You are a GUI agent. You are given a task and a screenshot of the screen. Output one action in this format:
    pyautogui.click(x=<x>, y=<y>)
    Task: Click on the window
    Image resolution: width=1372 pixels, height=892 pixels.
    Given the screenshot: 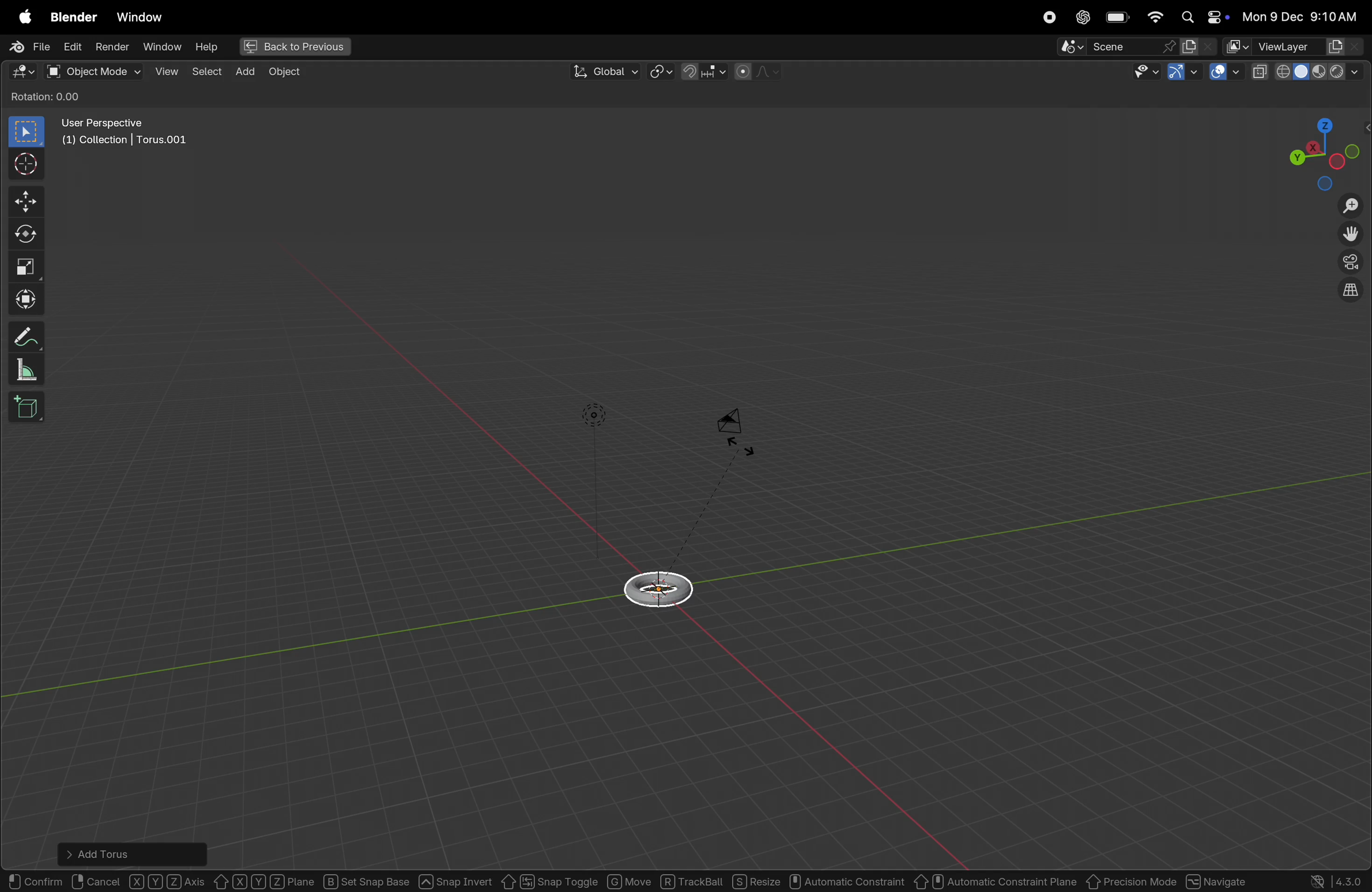 What is the action you would take?
    pyautogui.click(x=139, y=17)
    